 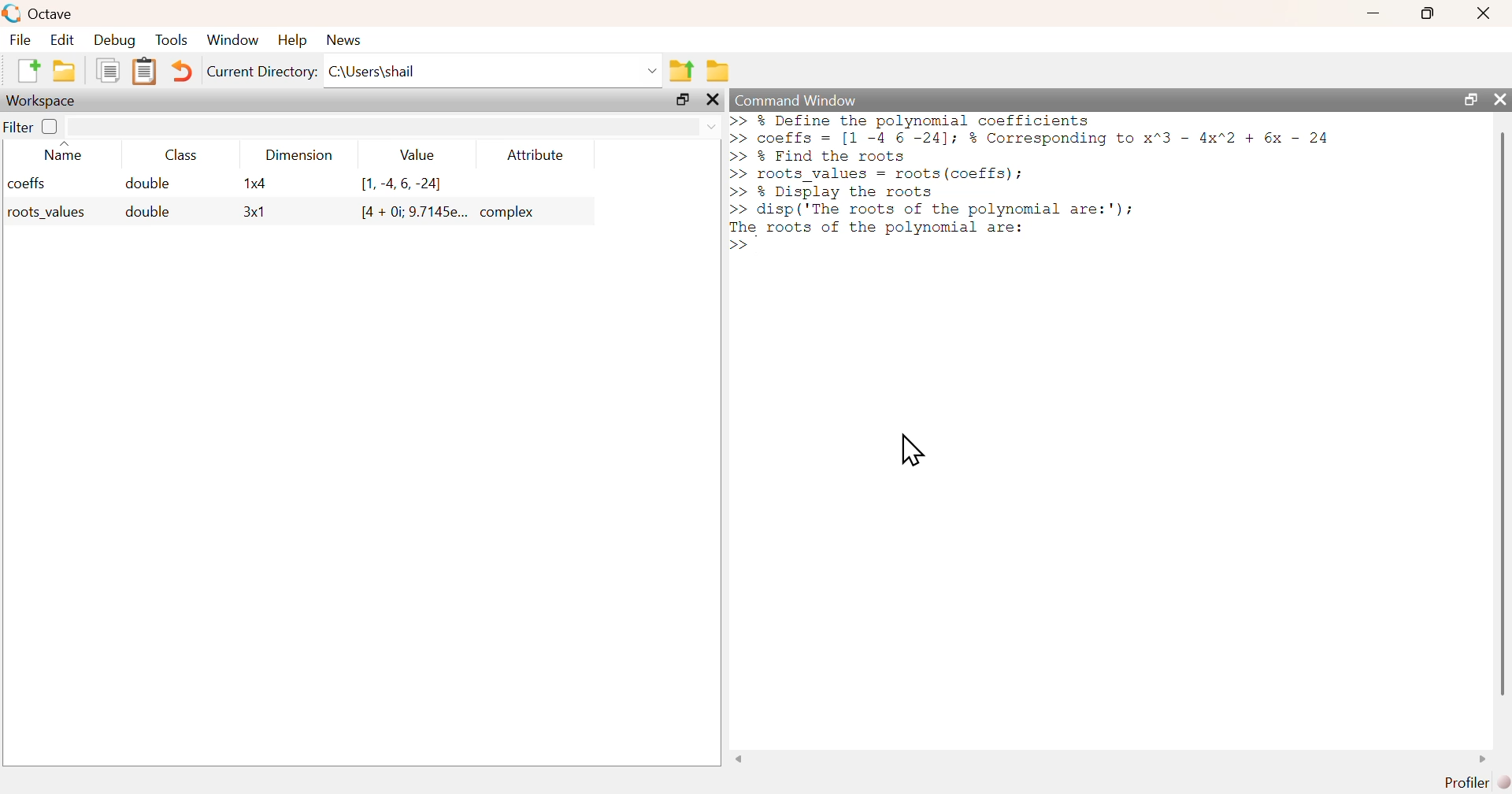 What do you see at coordinates (650, 70) in the screenshot?
I see `dropdown` at bounding box center [650, 70].